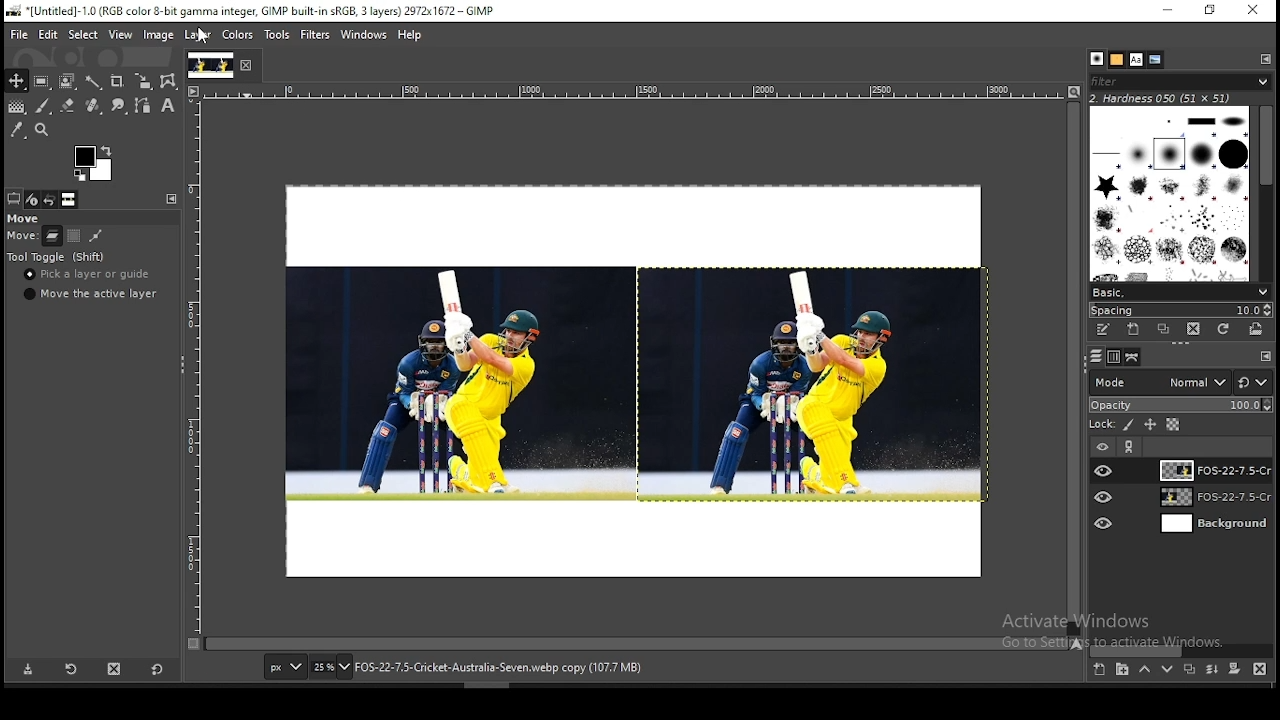 This screenshot has height=720, width=1280. What do you see at coordinates (285, 668) in the screenshot?
I see `units` at bounding box center [285, 668].